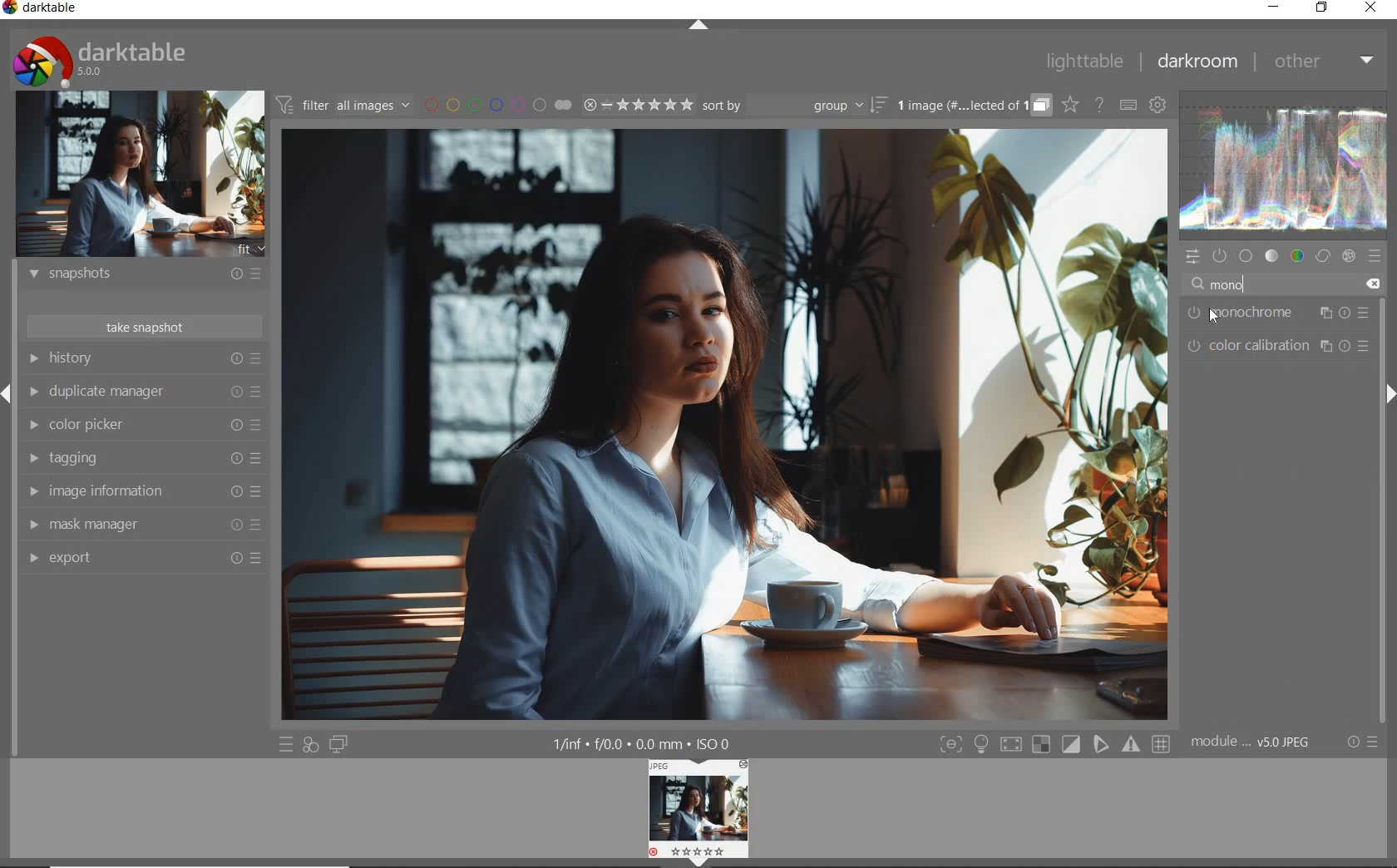  What do you see at coordinates (1099, 106) in the screenshot?
I see `enable online help` at bounding box center [1099, 106].